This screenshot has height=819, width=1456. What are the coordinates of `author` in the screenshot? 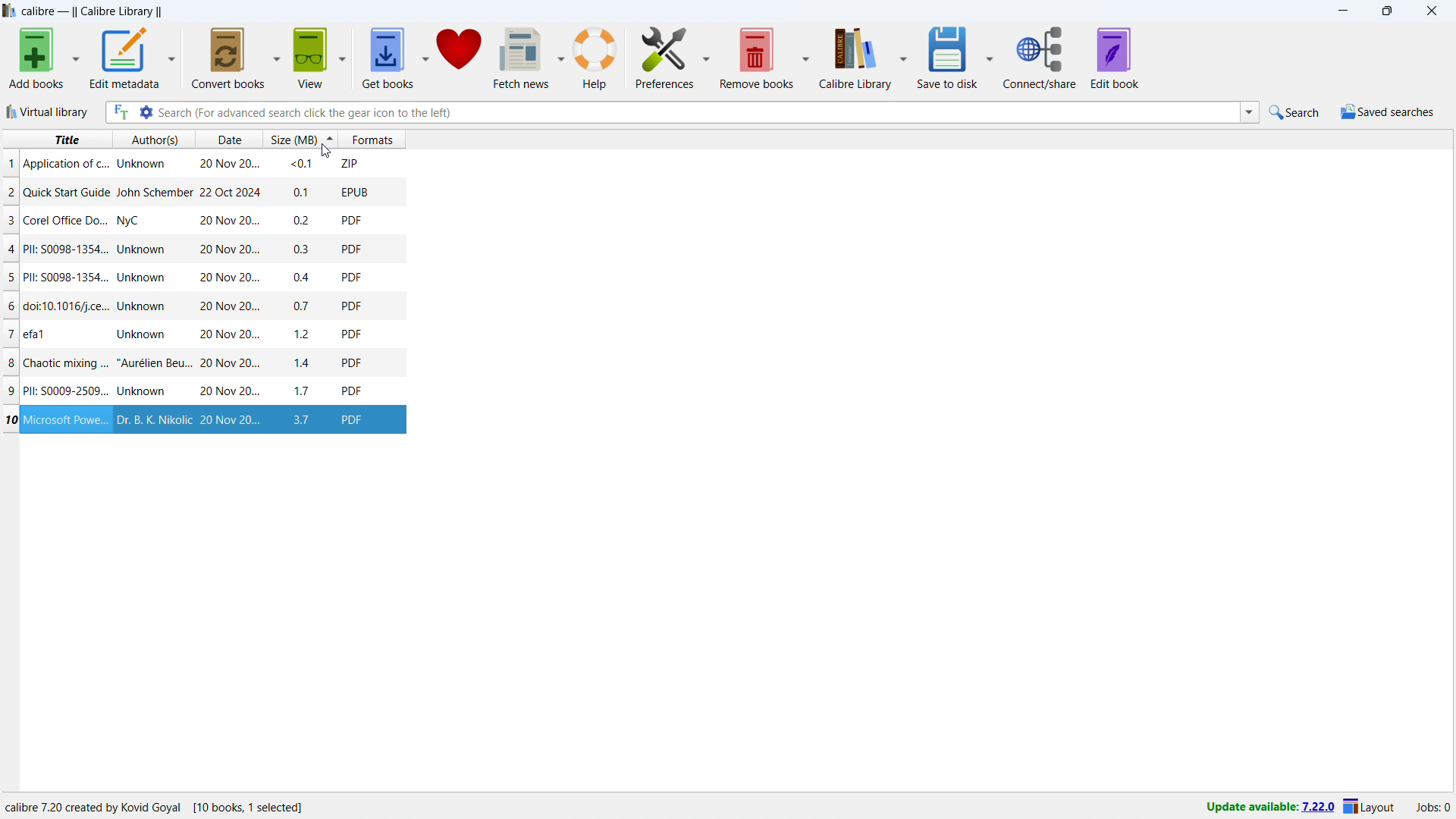 It's located at (143, 391).